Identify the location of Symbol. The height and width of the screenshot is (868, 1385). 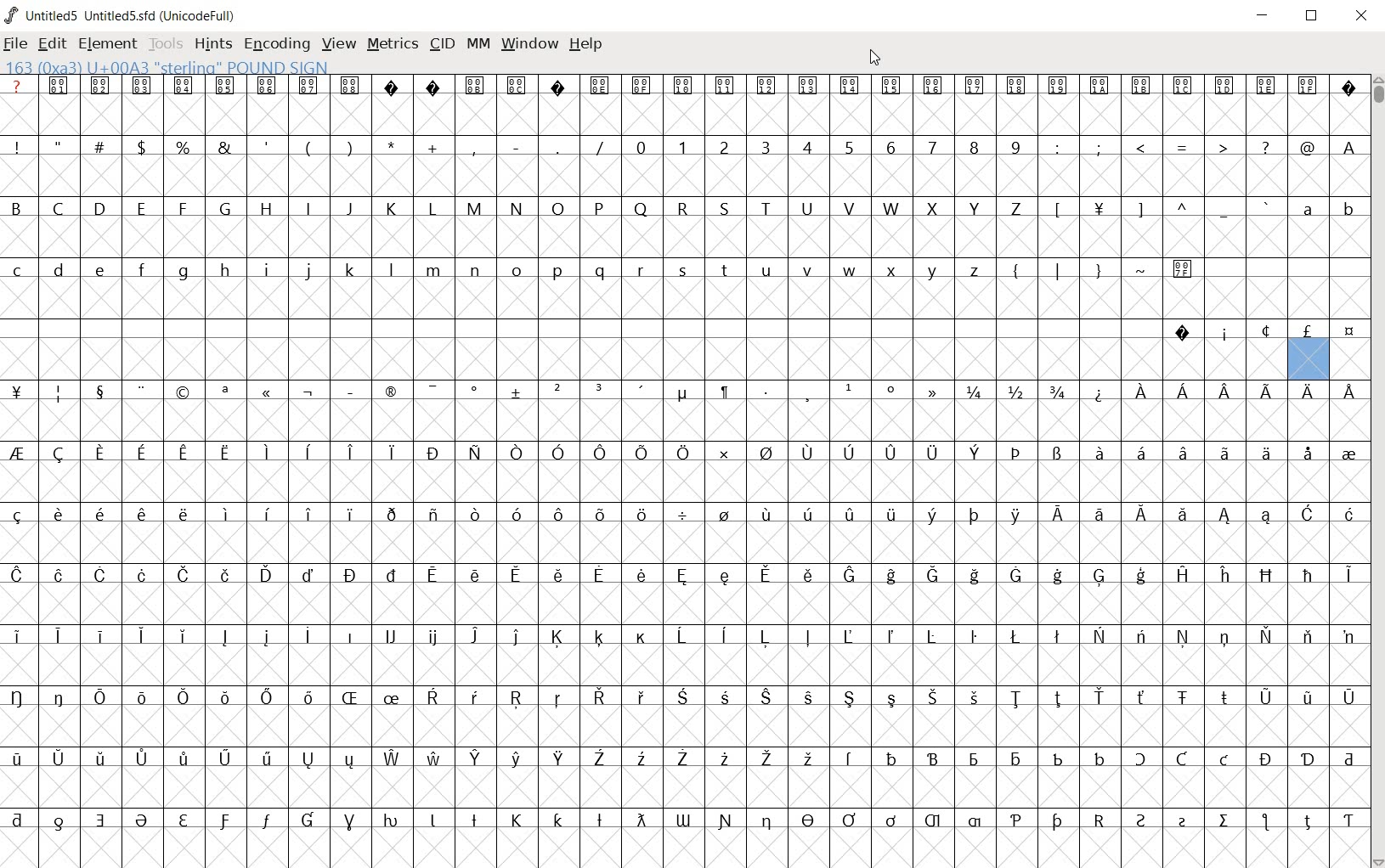
(518, 514).